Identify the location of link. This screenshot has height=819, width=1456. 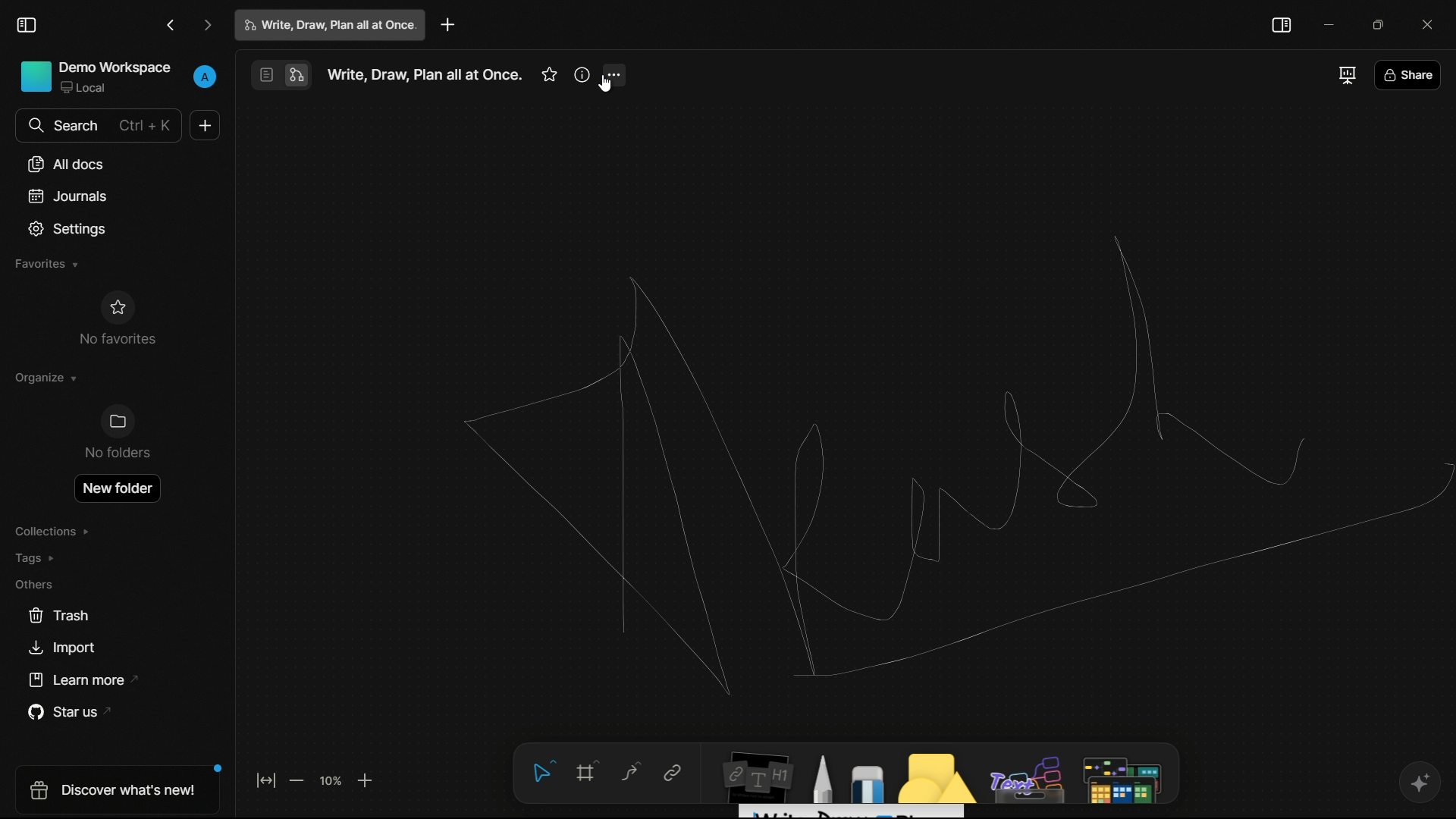
(674, 771).